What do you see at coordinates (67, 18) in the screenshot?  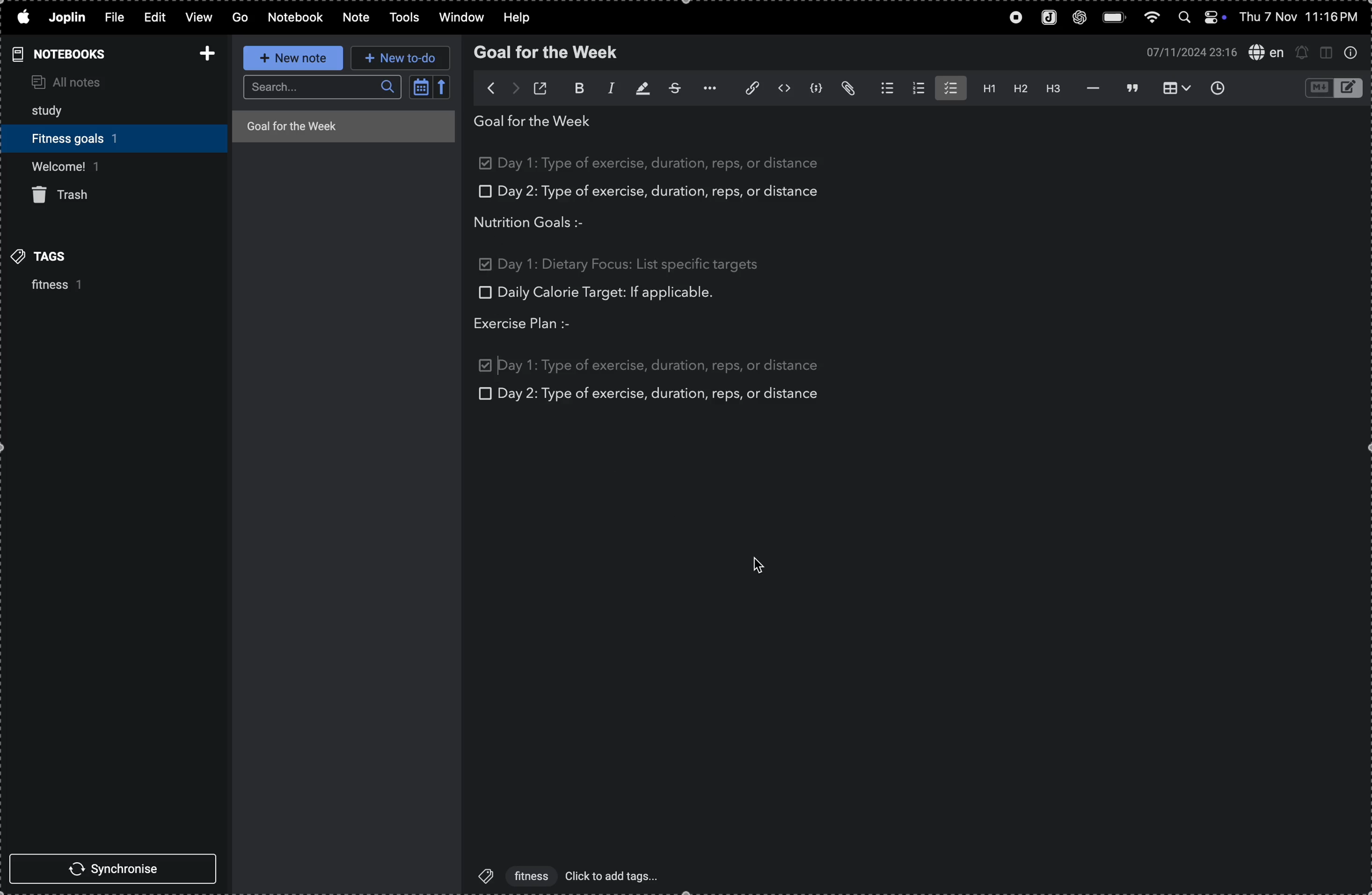 I see `joplin` at bounding box center [67, 18].